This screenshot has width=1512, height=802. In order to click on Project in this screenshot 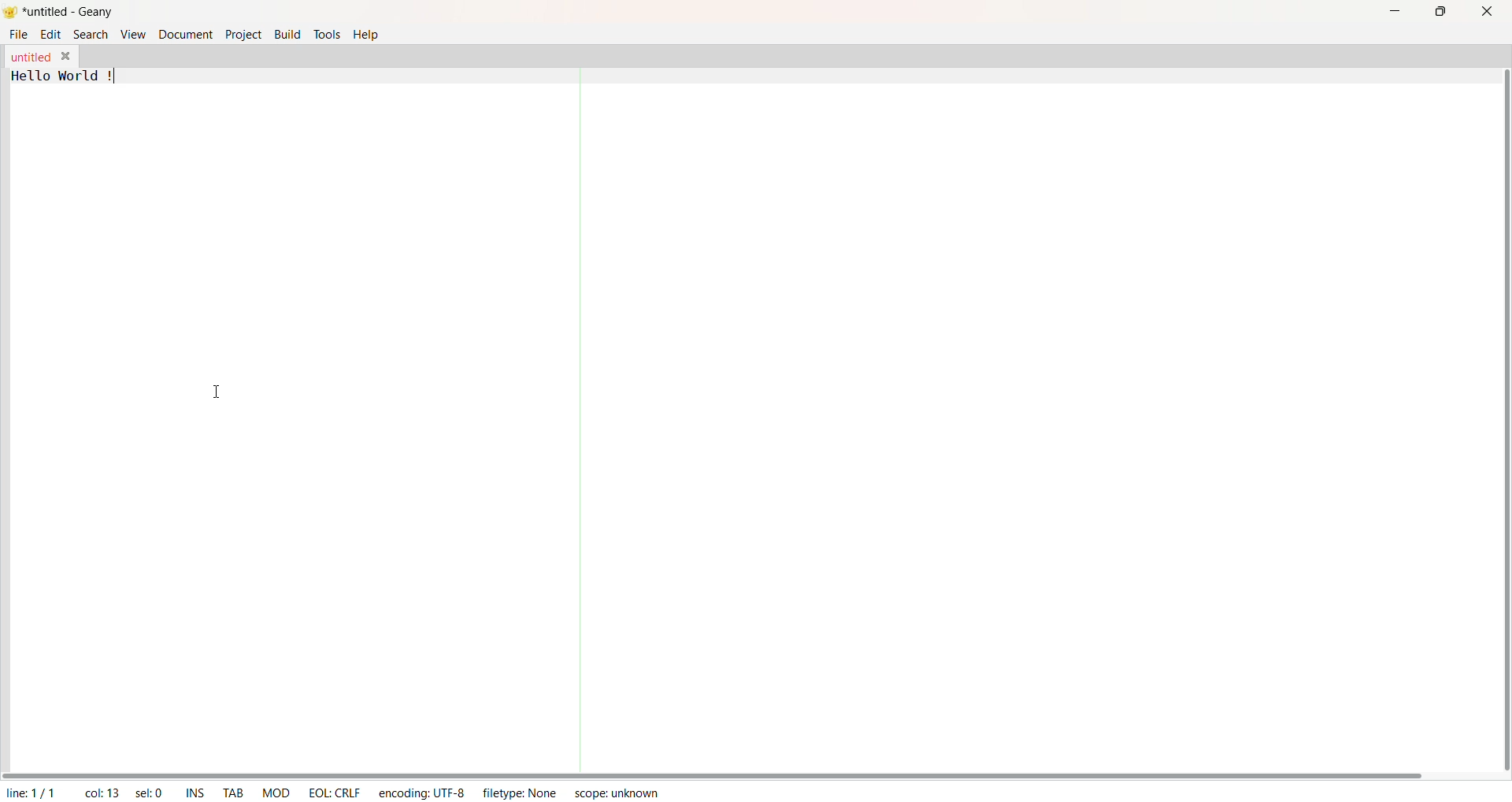, I will do `click(243, 35)`.